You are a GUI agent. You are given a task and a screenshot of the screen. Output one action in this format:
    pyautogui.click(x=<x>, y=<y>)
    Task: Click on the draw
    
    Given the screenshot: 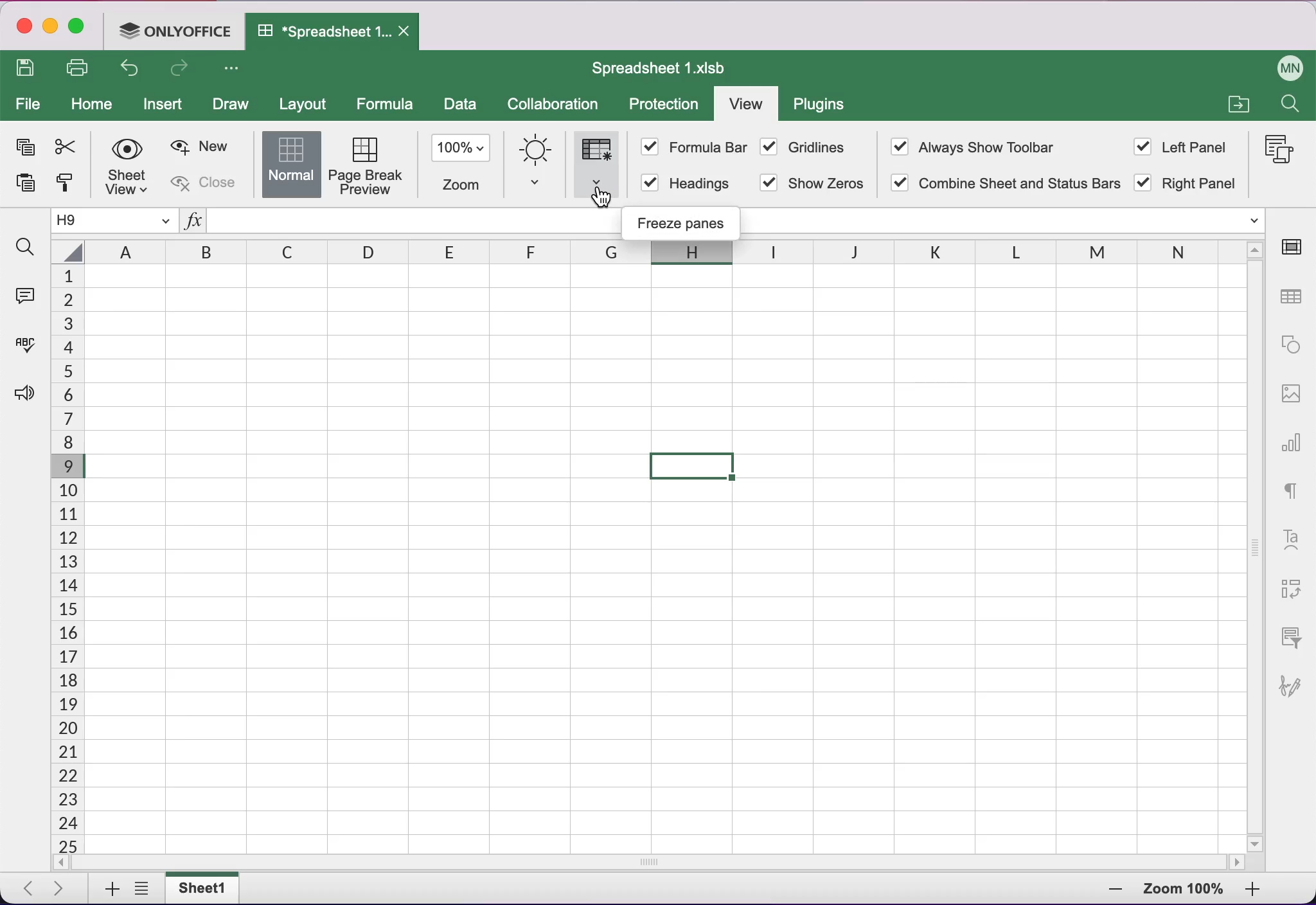 What is the action you would take?
    pyautogui.click(x=235, y=105)
    